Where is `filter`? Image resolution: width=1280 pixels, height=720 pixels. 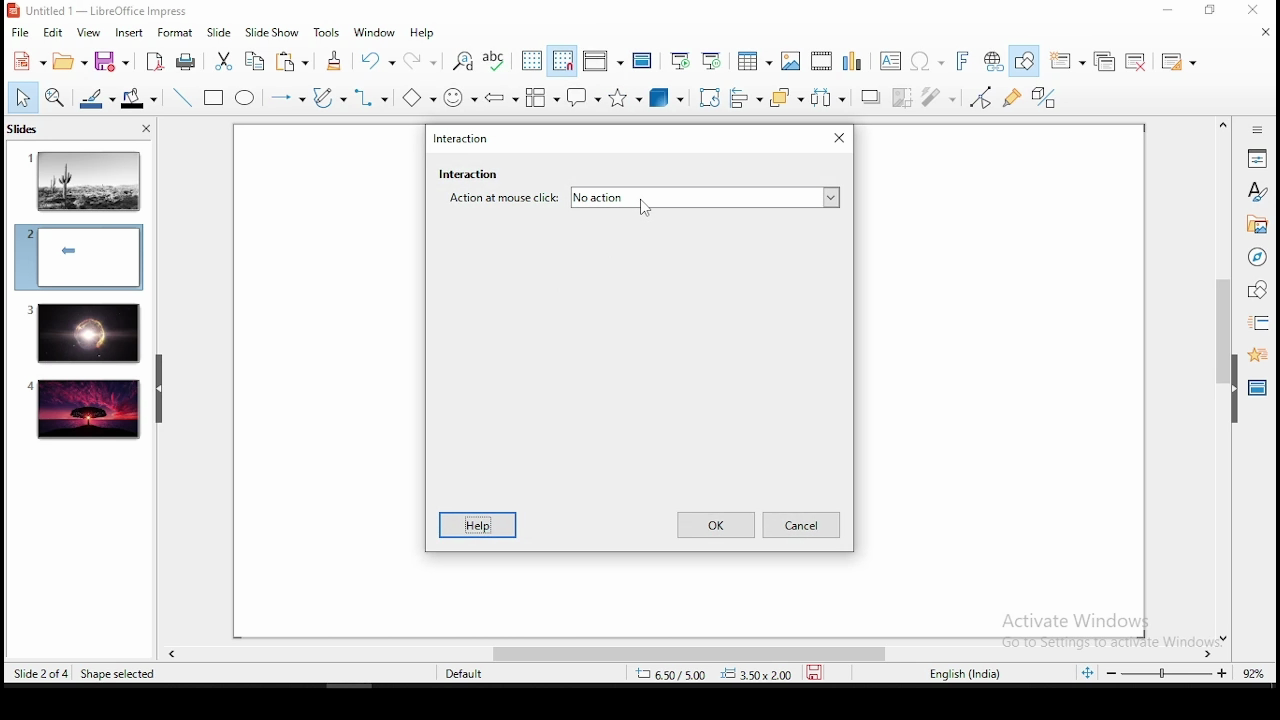
filter is located at coordinates (935, 97).